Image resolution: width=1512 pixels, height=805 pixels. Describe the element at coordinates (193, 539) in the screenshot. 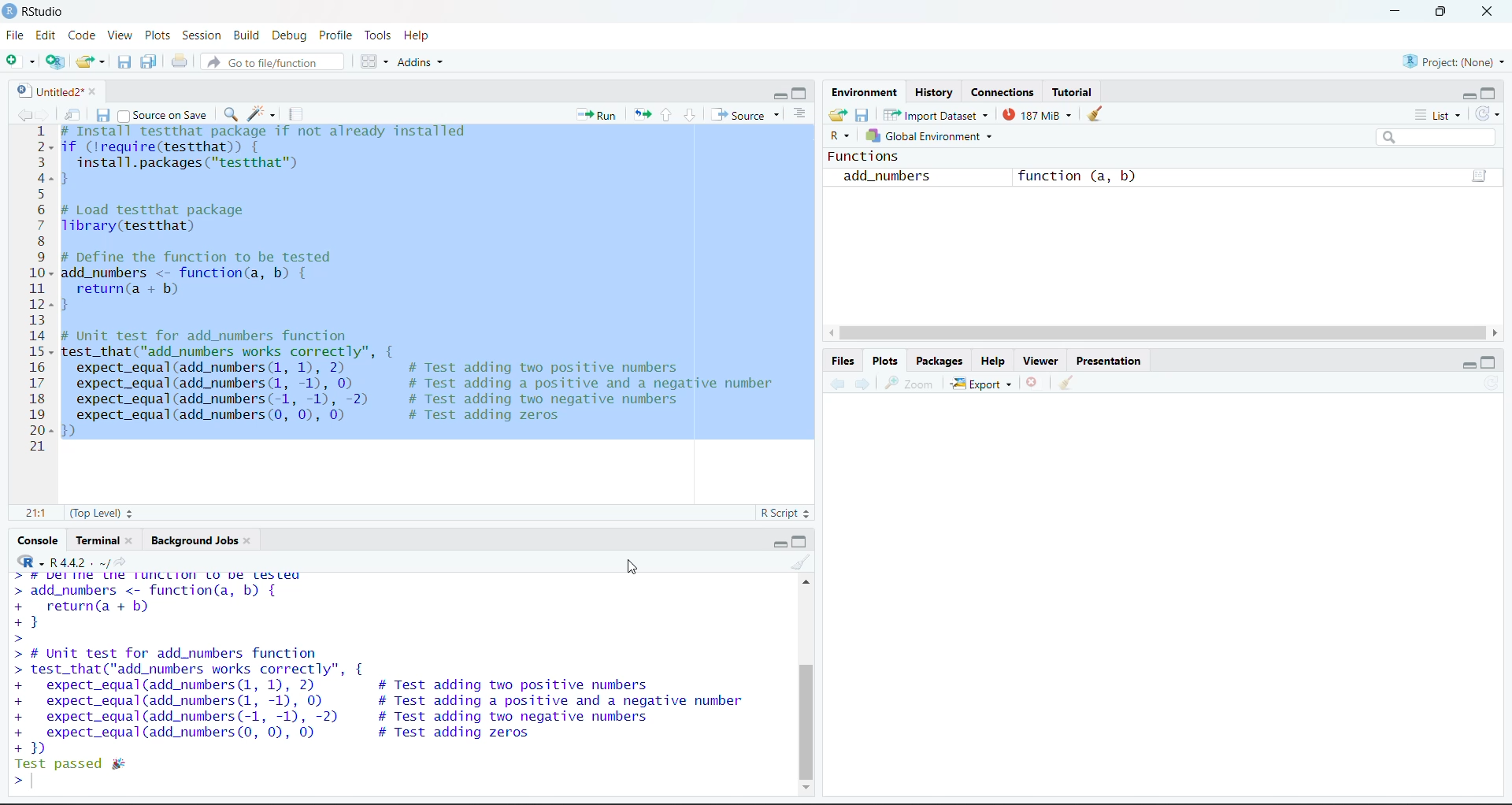

I see `Background Jobs` at that location.